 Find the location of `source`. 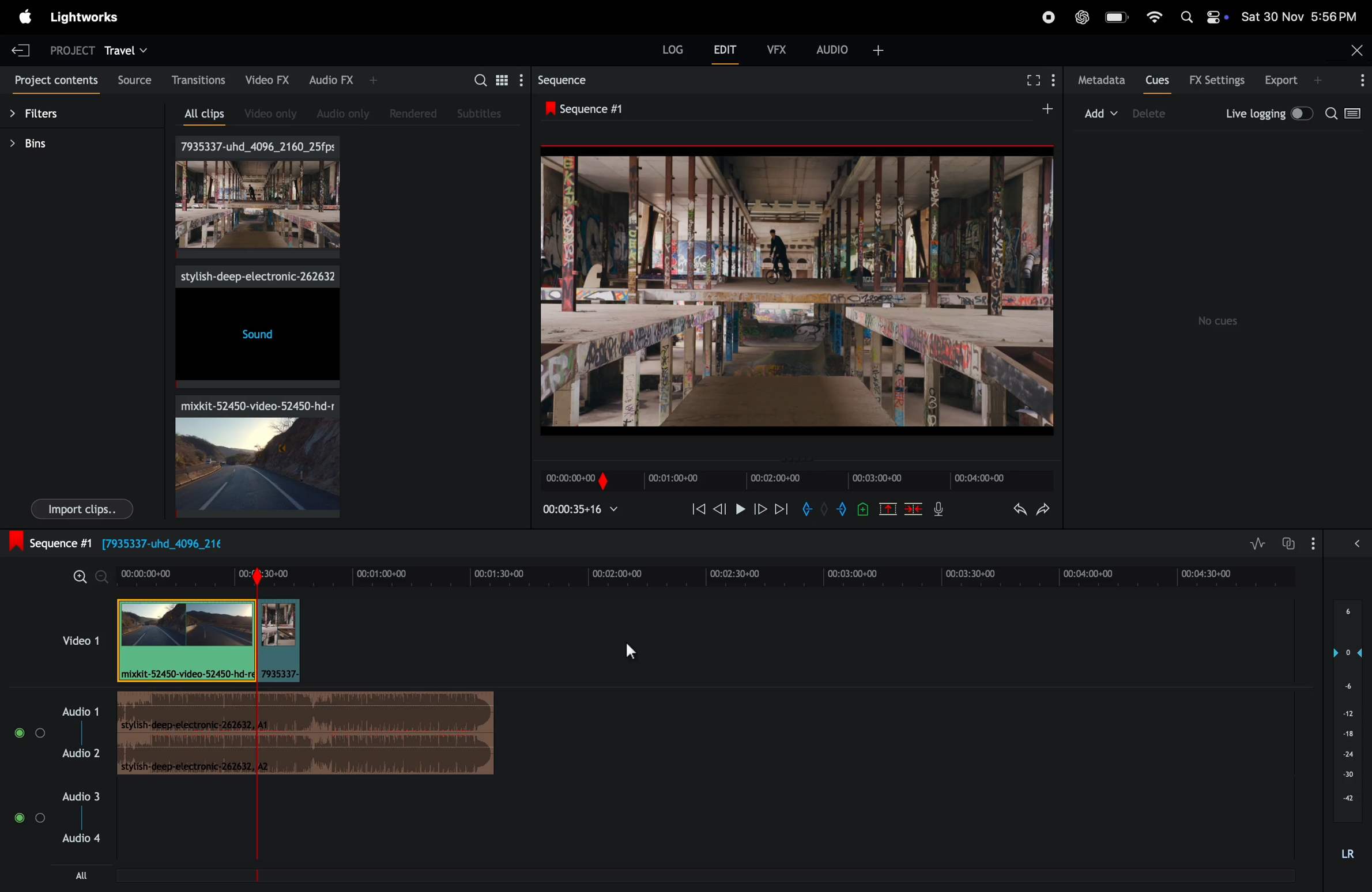

source is located at coordinates (133, 78).